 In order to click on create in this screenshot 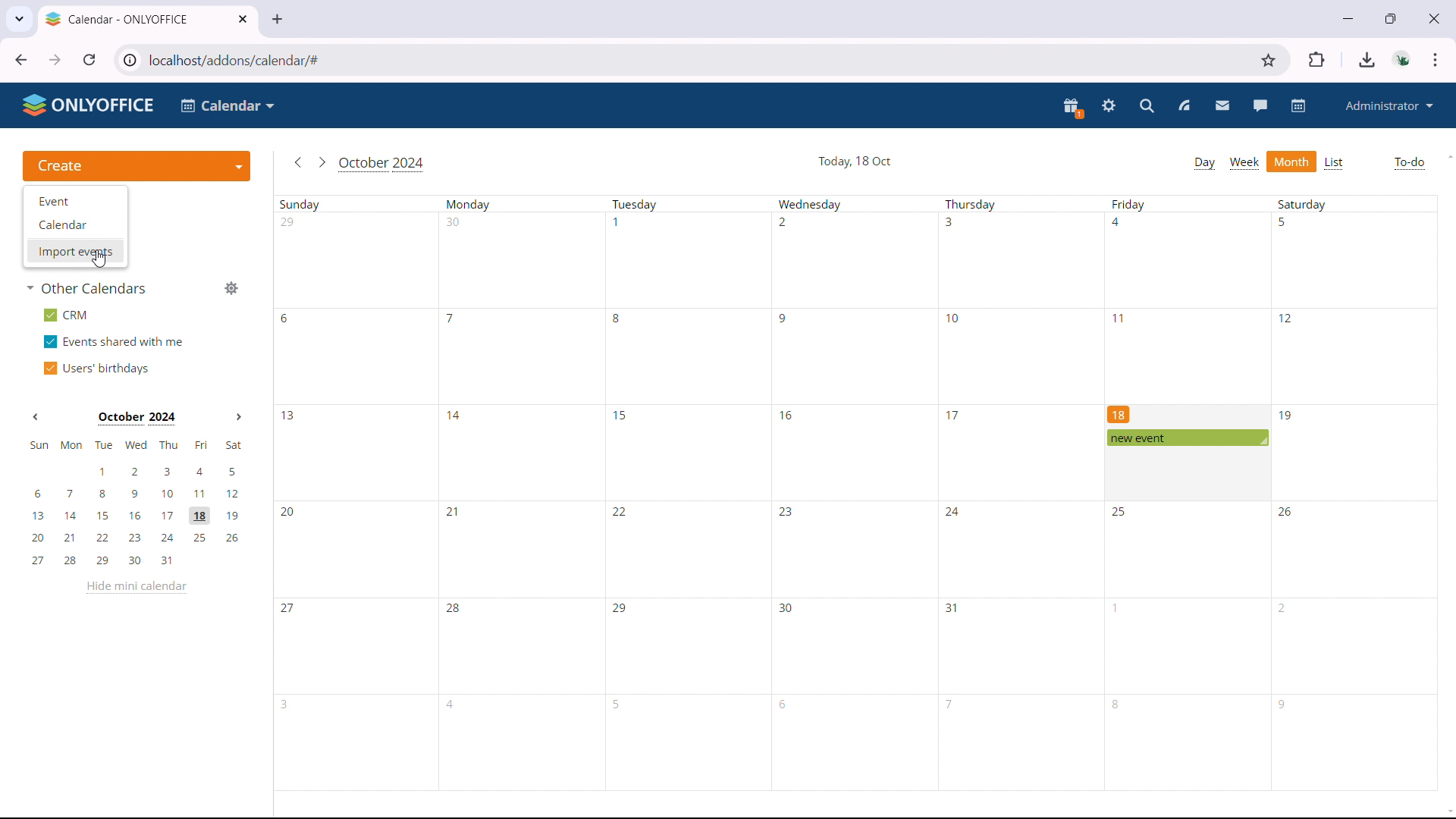, I will do `click(136, 165)`.